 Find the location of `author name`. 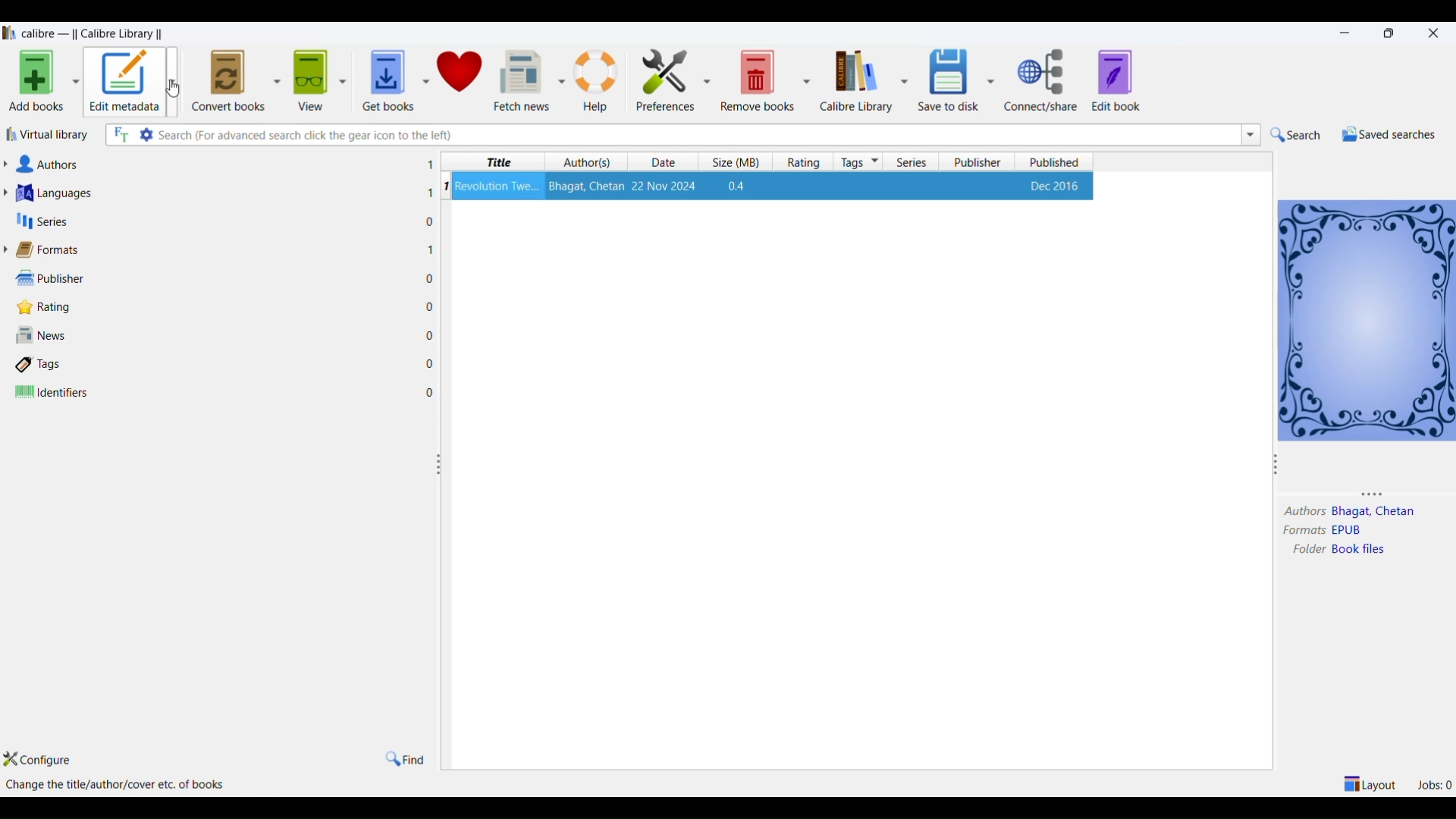

author name is located at coordinates (1376, 513).